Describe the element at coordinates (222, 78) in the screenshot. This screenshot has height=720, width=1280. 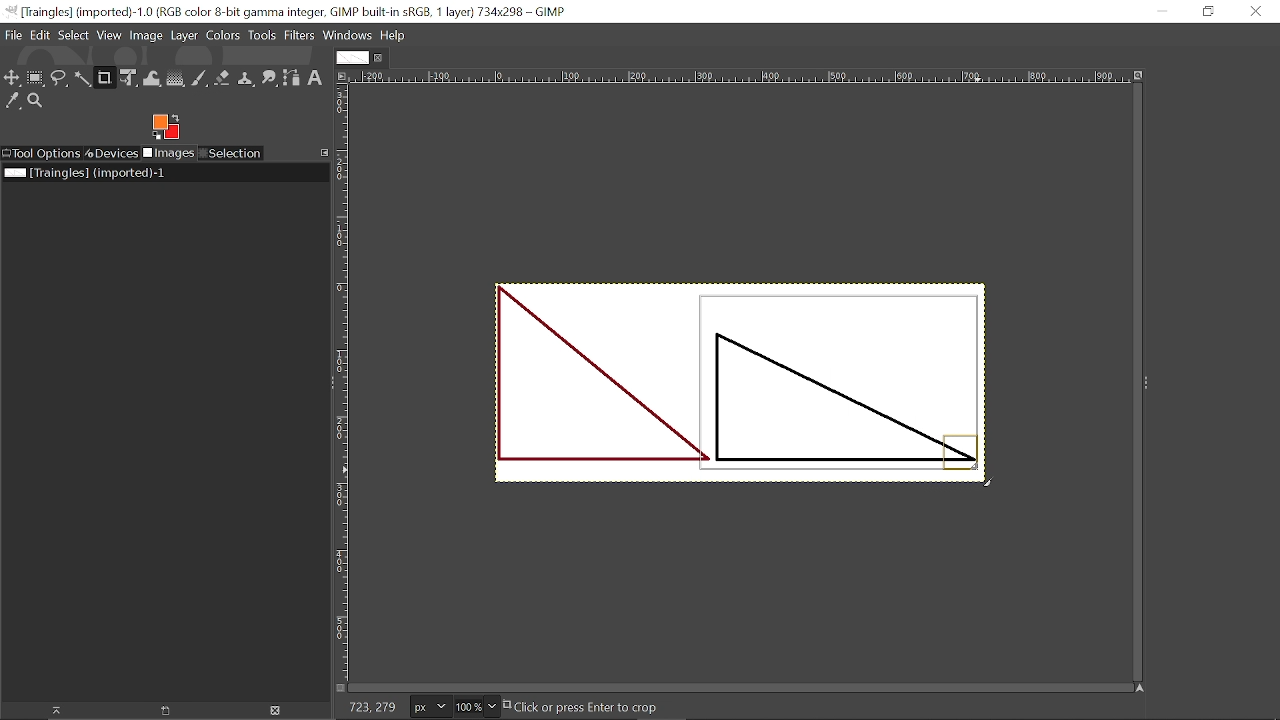
I see `Eraser tool` at that location.